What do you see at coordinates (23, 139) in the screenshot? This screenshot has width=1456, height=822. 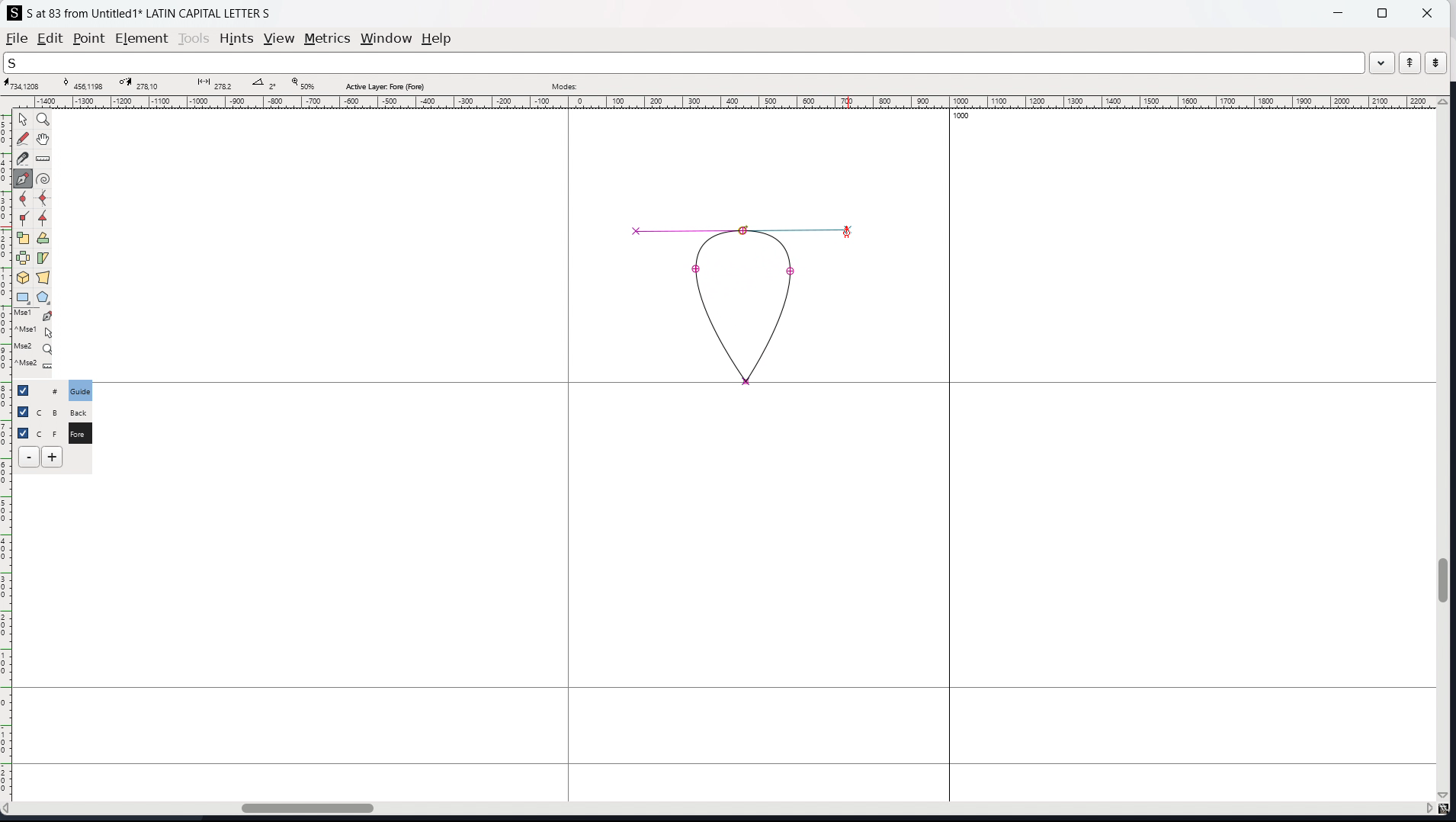 I see `draw a freehand curve` at bounding box center [23, 139].